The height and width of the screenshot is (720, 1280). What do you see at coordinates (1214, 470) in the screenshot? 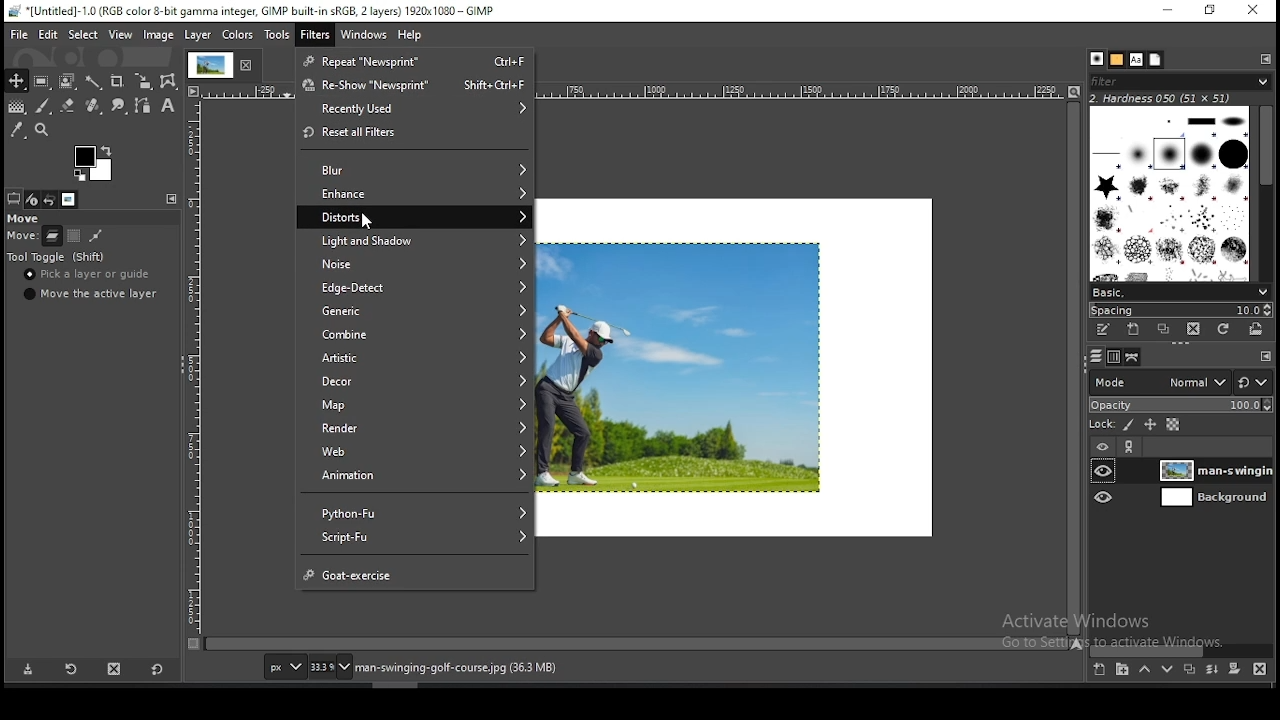
I see `layer` at bounding box center [1214, 470].